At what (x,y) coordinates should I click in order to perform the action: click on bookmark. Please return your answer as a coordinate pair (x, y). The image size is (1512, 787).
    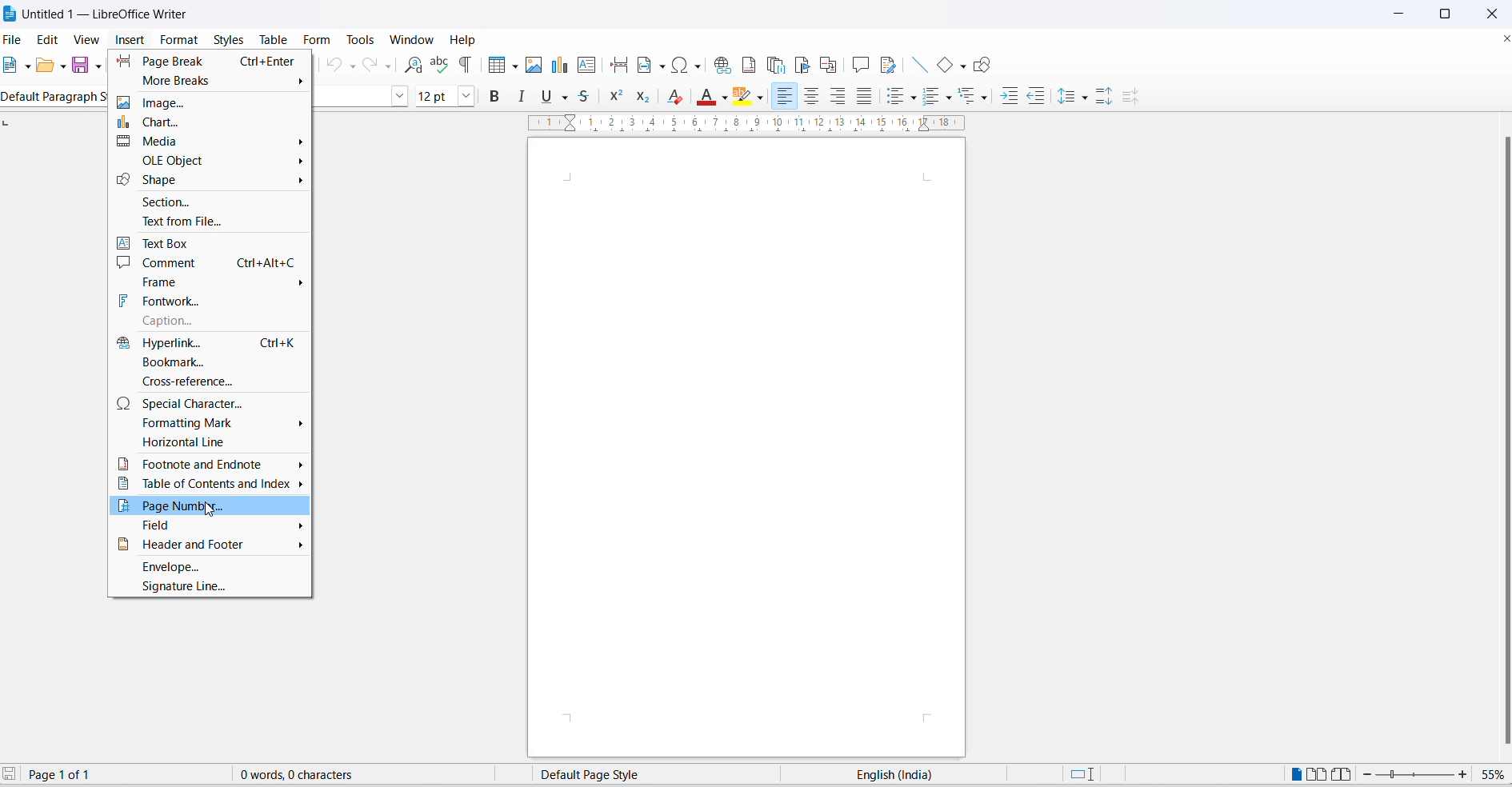
    Looking at the image, I should click on (210, 365).